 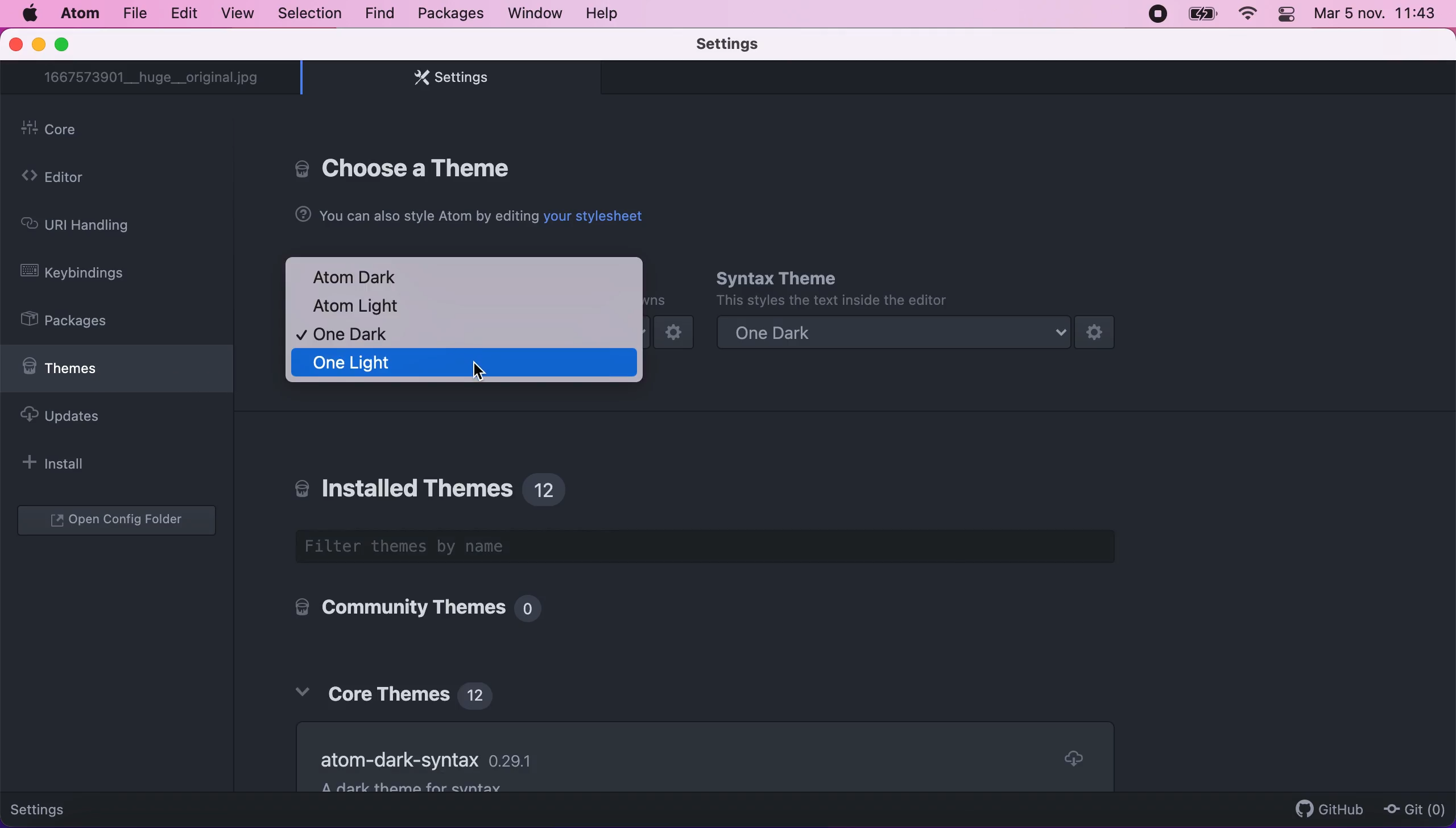 What do you see at coordinates (696, 744) in the screenshot?
I see `Remove Empty Panes | When the last tab of a pane is closed, remove that pane as well.` at bounding box center [696, 744].